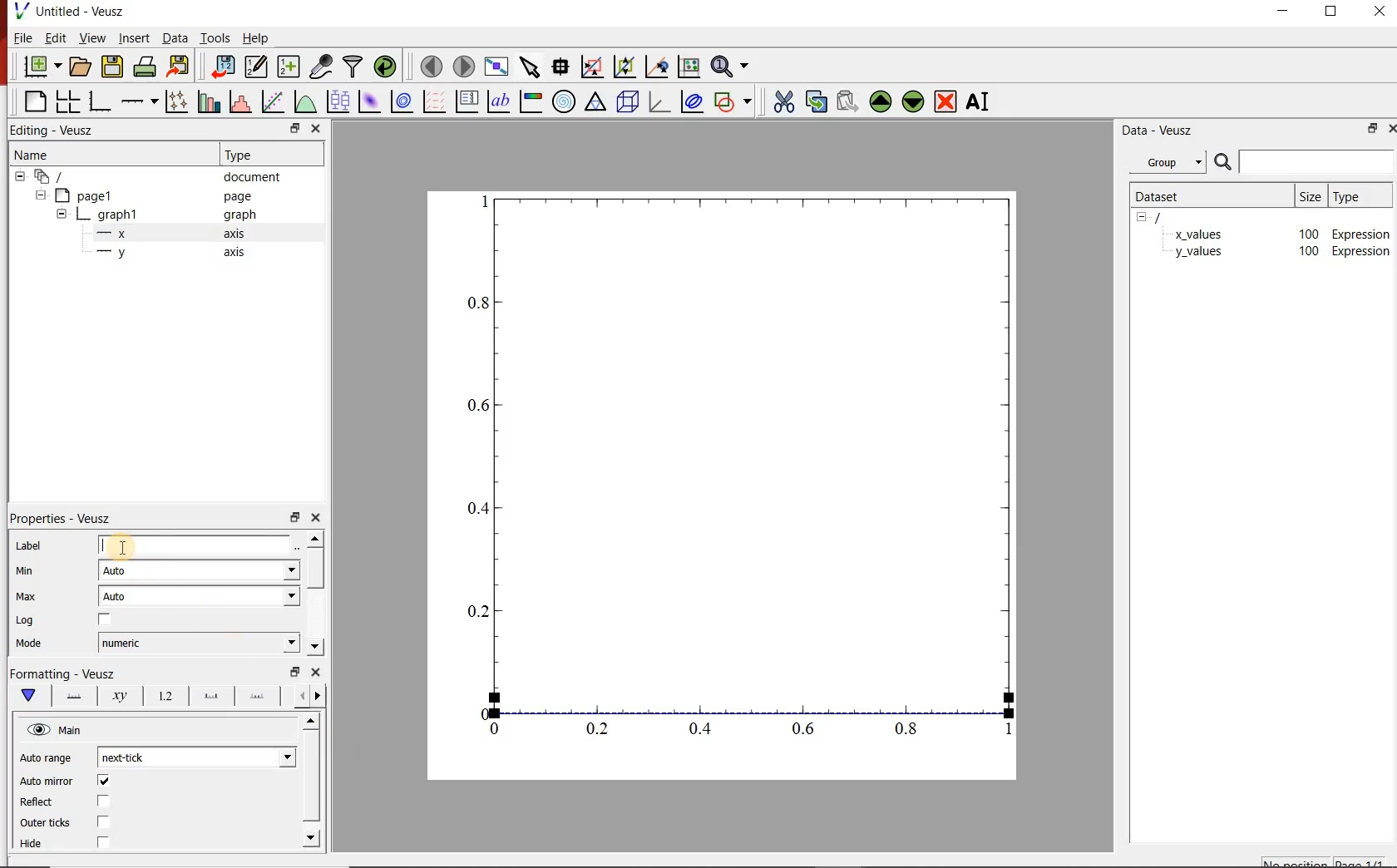 The image size is (1397, 868). What do you see at coordinates (105, 821) in the screenshot?
I see `checkbox` at bounding box center [105, 821].